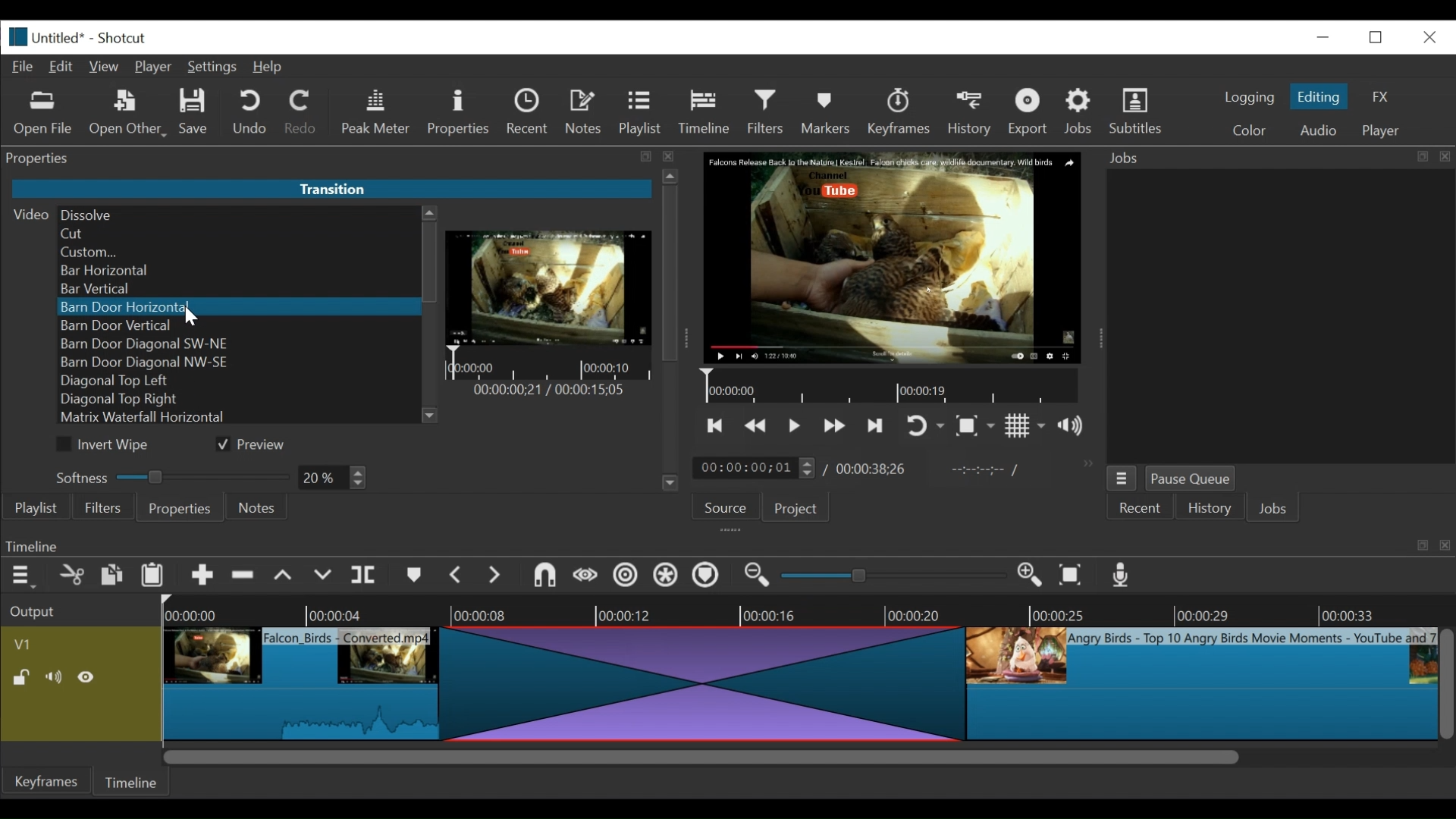 The width and height of the screenshot is (1456, 819). What do you see at coordinates (430, 263) in the screenshot?
I see `Vertical Scroll bar` at bounding box center [430, 263].